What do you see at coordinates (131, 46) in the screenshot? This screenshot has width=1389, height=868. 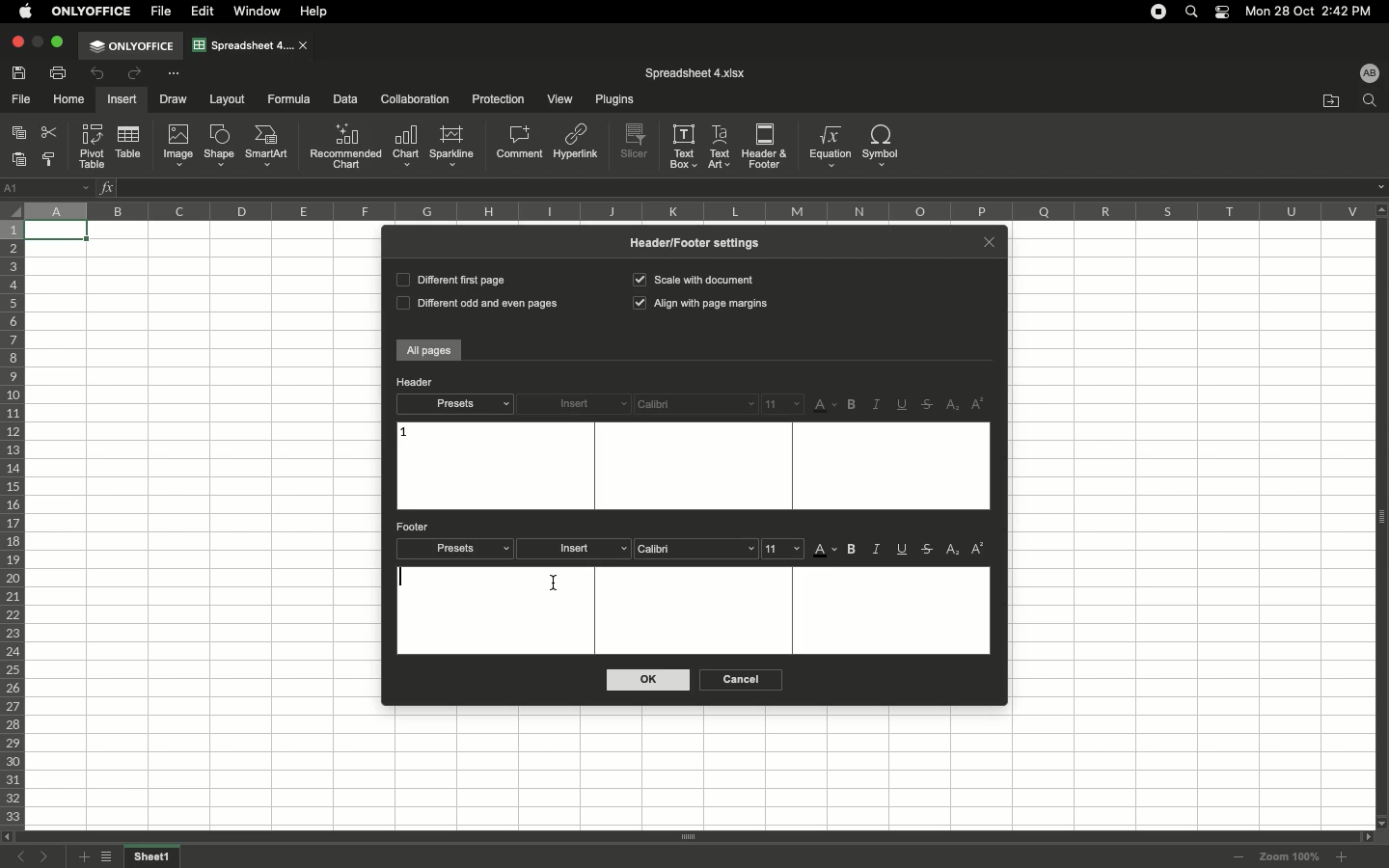 I see `OnlyOffice tab` at bounding box center [131, 46].